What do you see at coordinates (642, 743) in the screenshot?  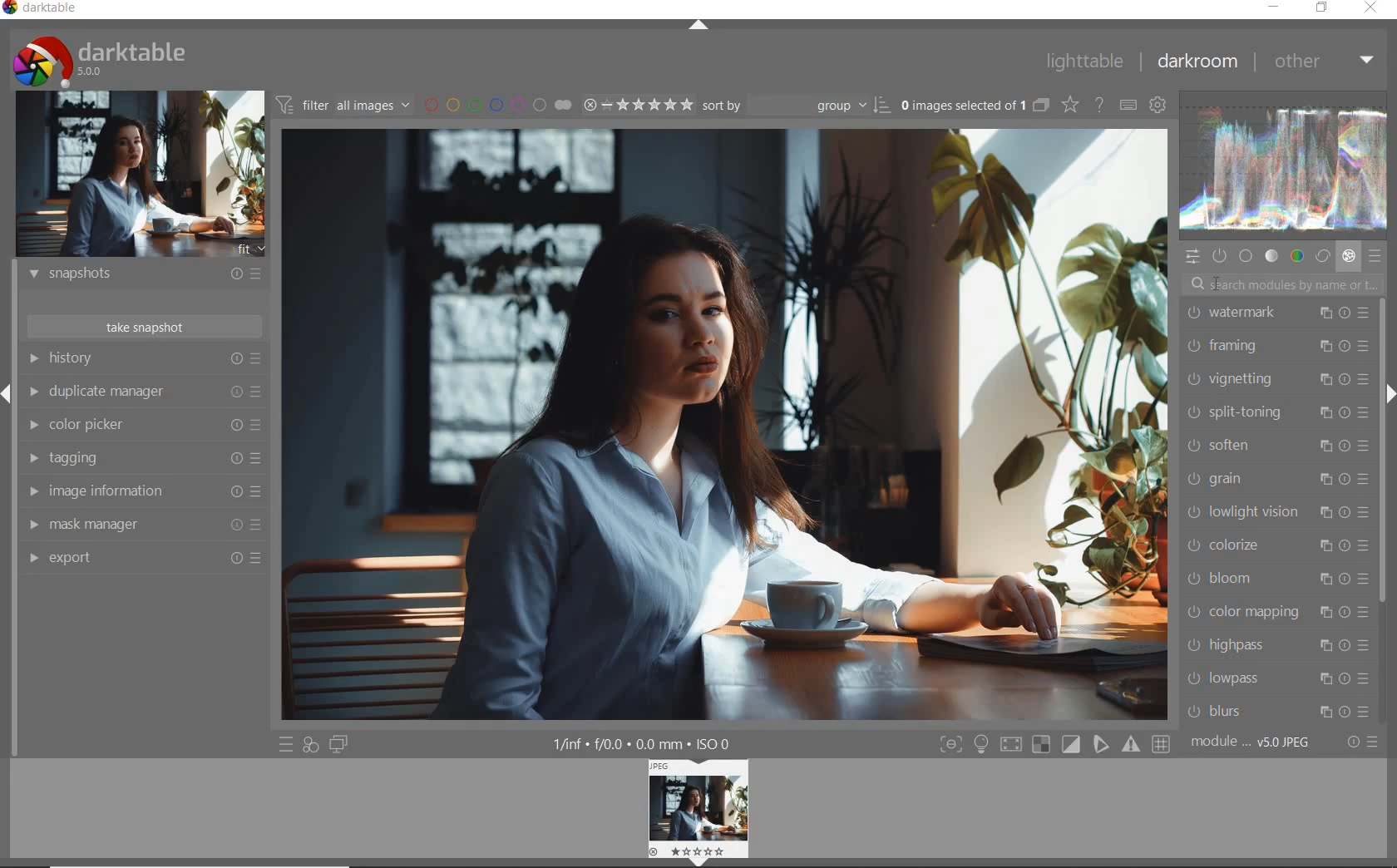 I see `other display information` at bounding box center [642, 743].